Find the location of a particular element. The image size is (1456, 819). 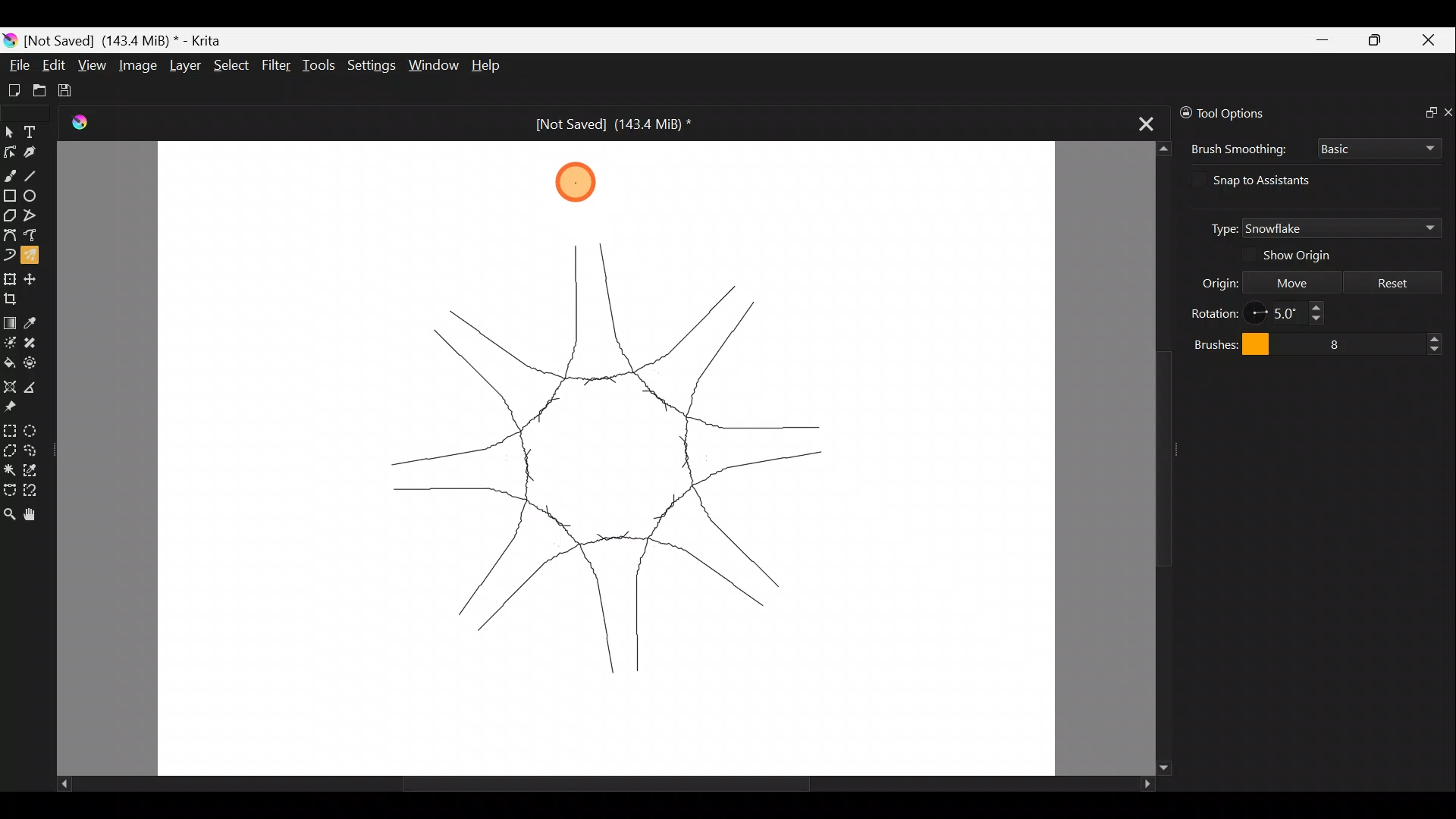

Select shapes tool is located at coordinates (10, 131).